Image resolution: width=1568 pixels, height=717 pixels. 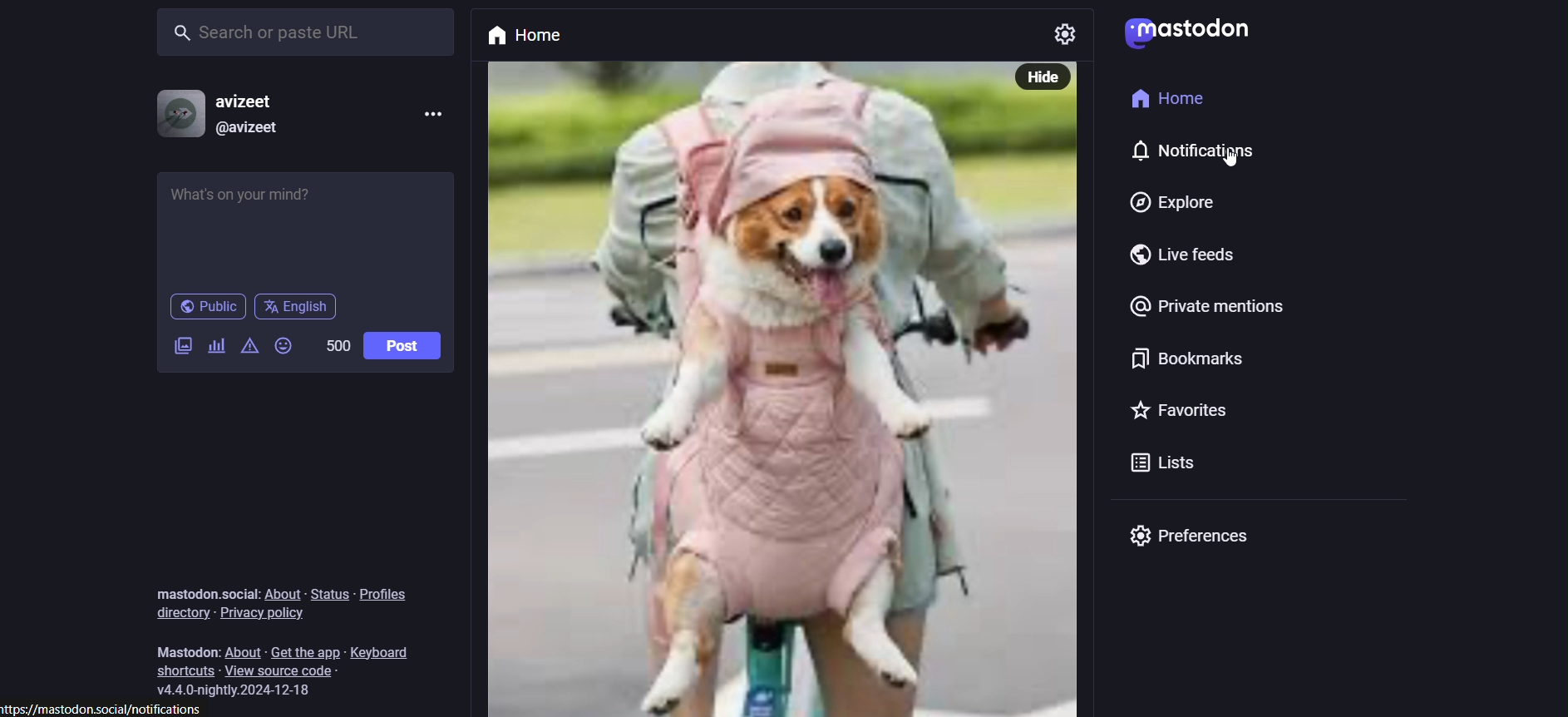 I want to click on whats on your mind?, so click(x=308, y=229).